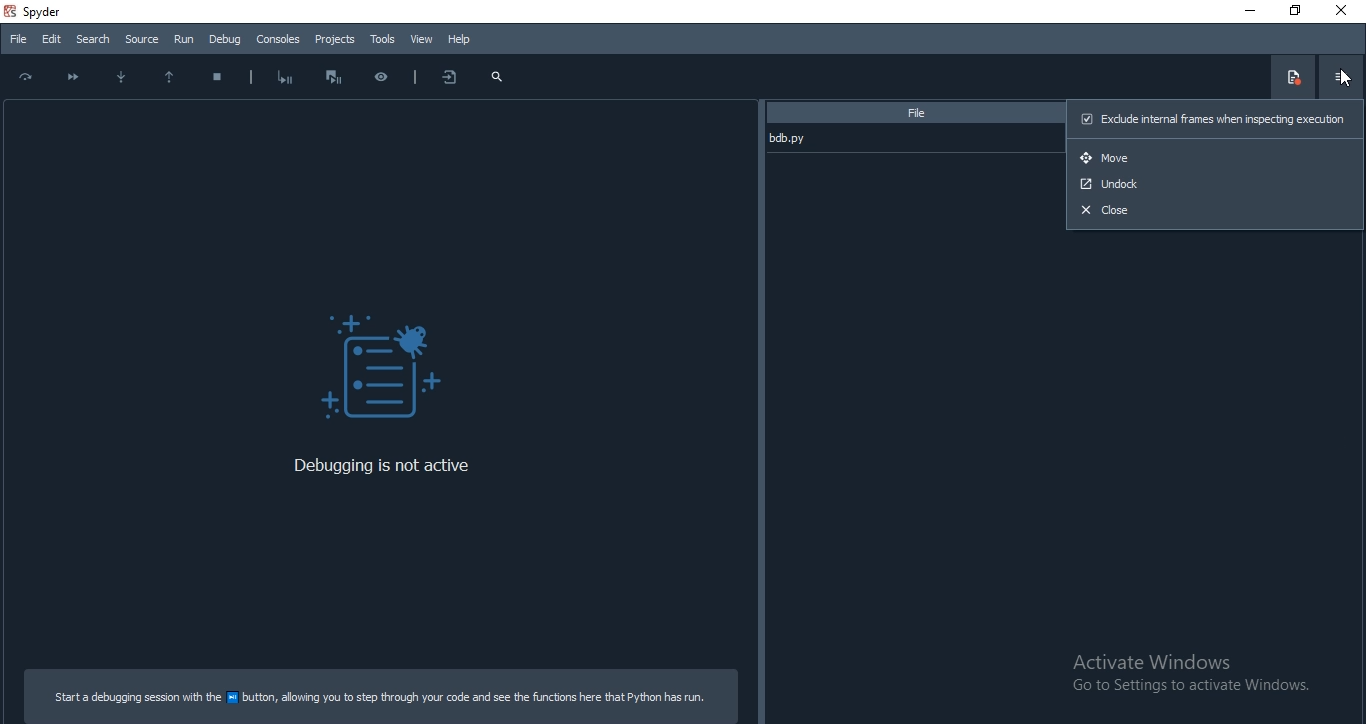 This screenshot has width=1366, height=724. What do you see at coordinates (25, 77) in the screenshot?
I see `Execute current line` at bounding box center [25, 77].